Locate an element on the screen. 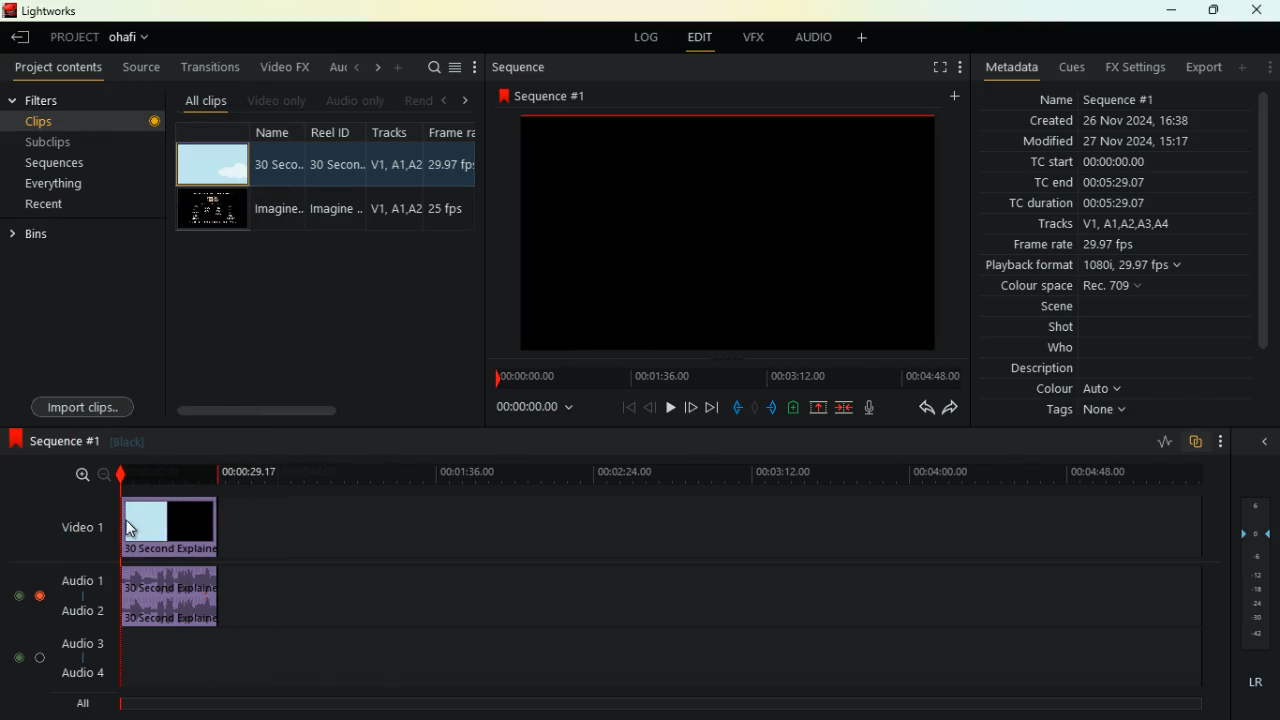  beggining is located at coordinates (620, 407).